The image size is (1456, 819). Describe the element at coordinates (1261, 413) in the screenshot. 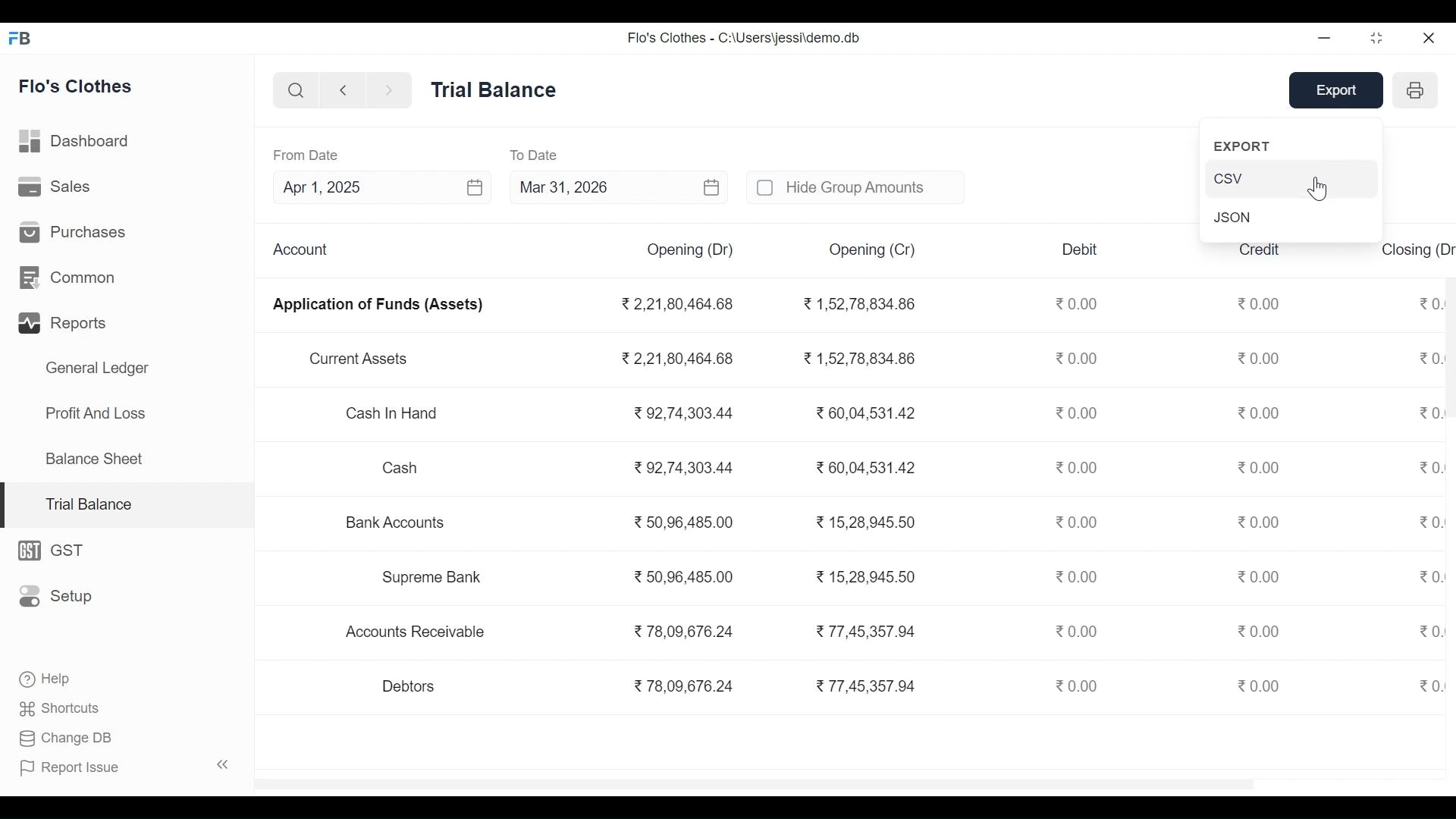

I see `0.00` at that location.